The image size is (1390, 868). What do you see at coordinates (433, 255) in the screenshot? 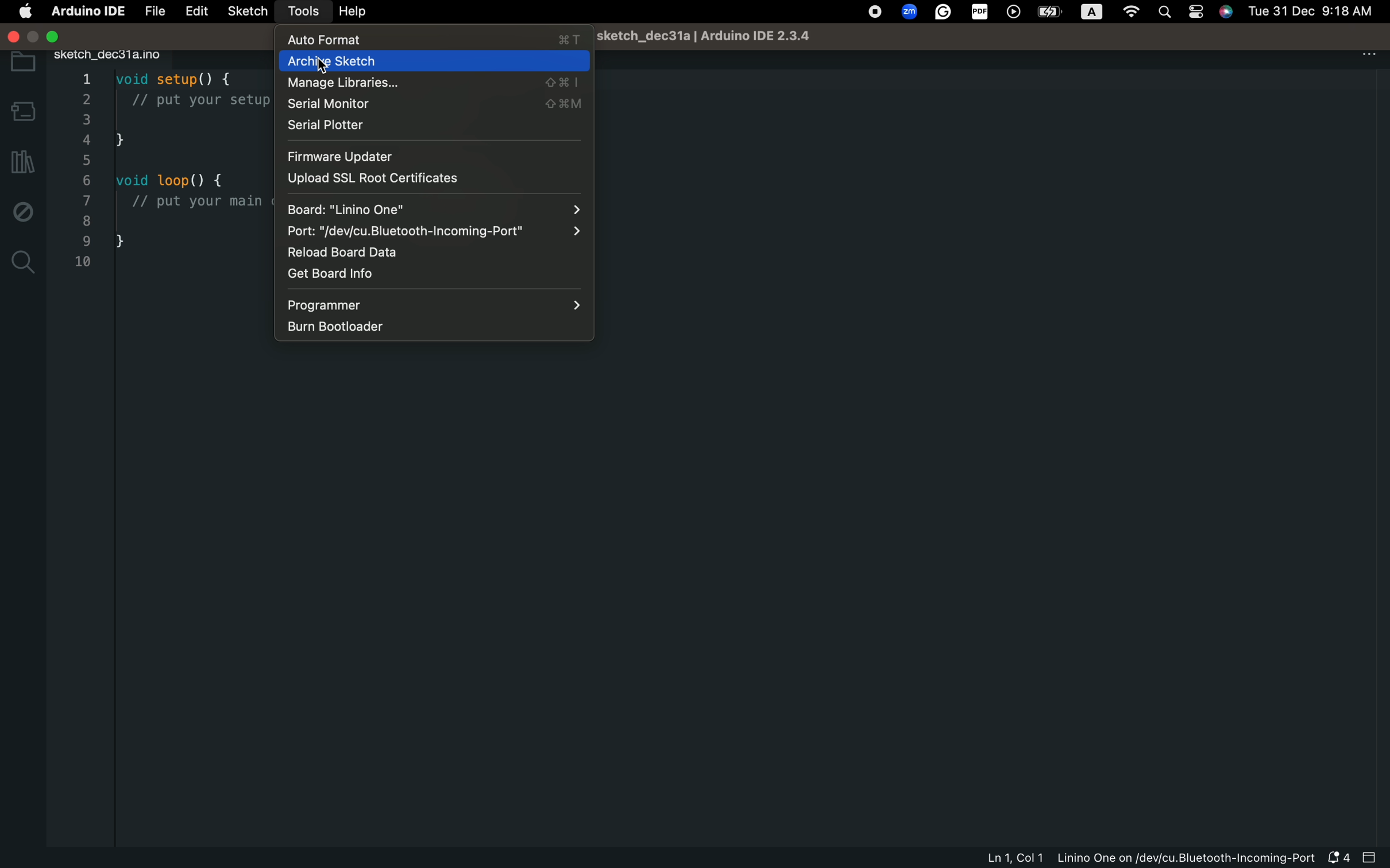
I see `Reload board data ` at bounding box center [433, 255].